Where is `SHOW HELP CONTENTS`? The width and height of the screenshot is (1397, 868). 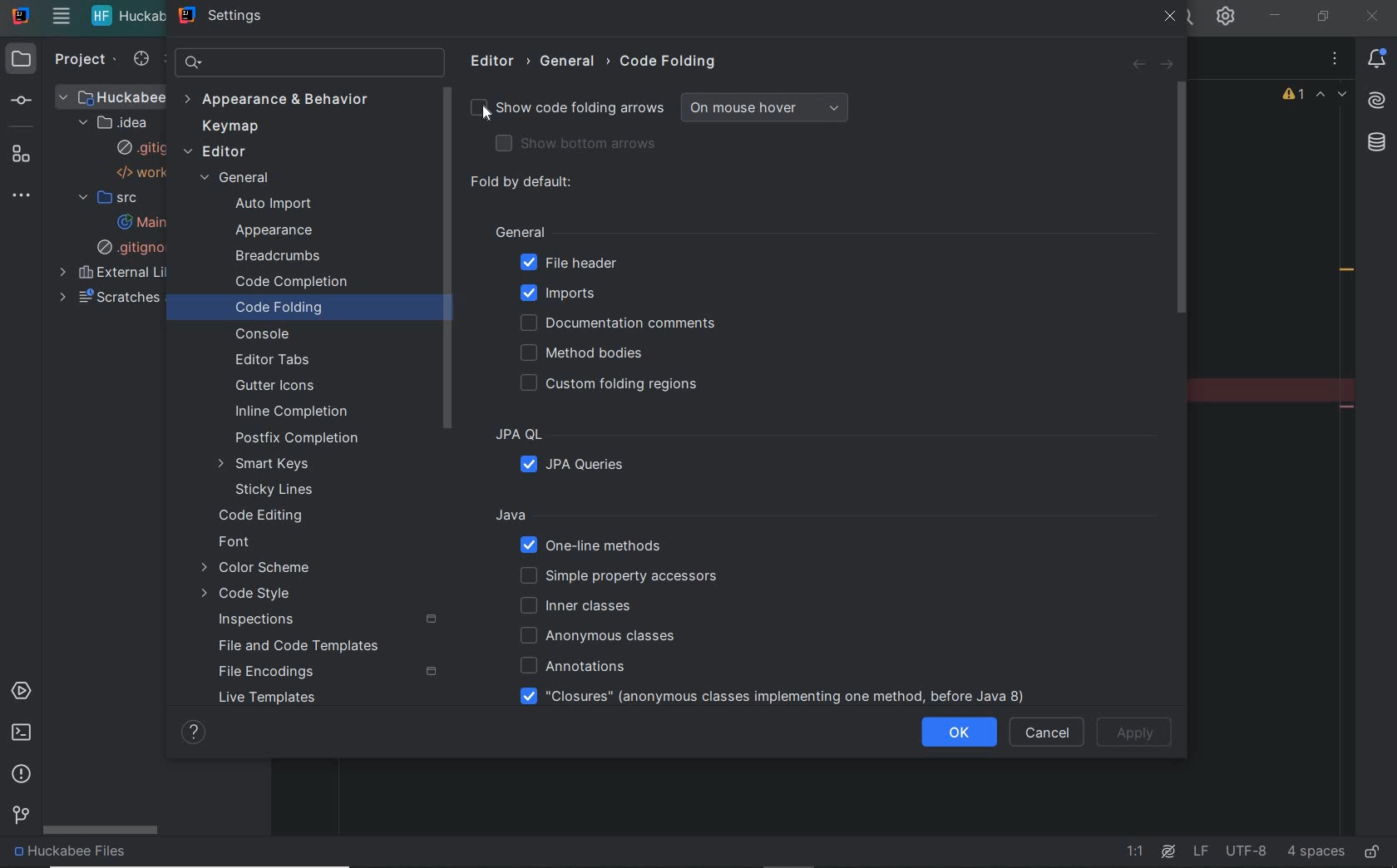 SHOW HELP CONTENTS is located at coordinates (194, 735).